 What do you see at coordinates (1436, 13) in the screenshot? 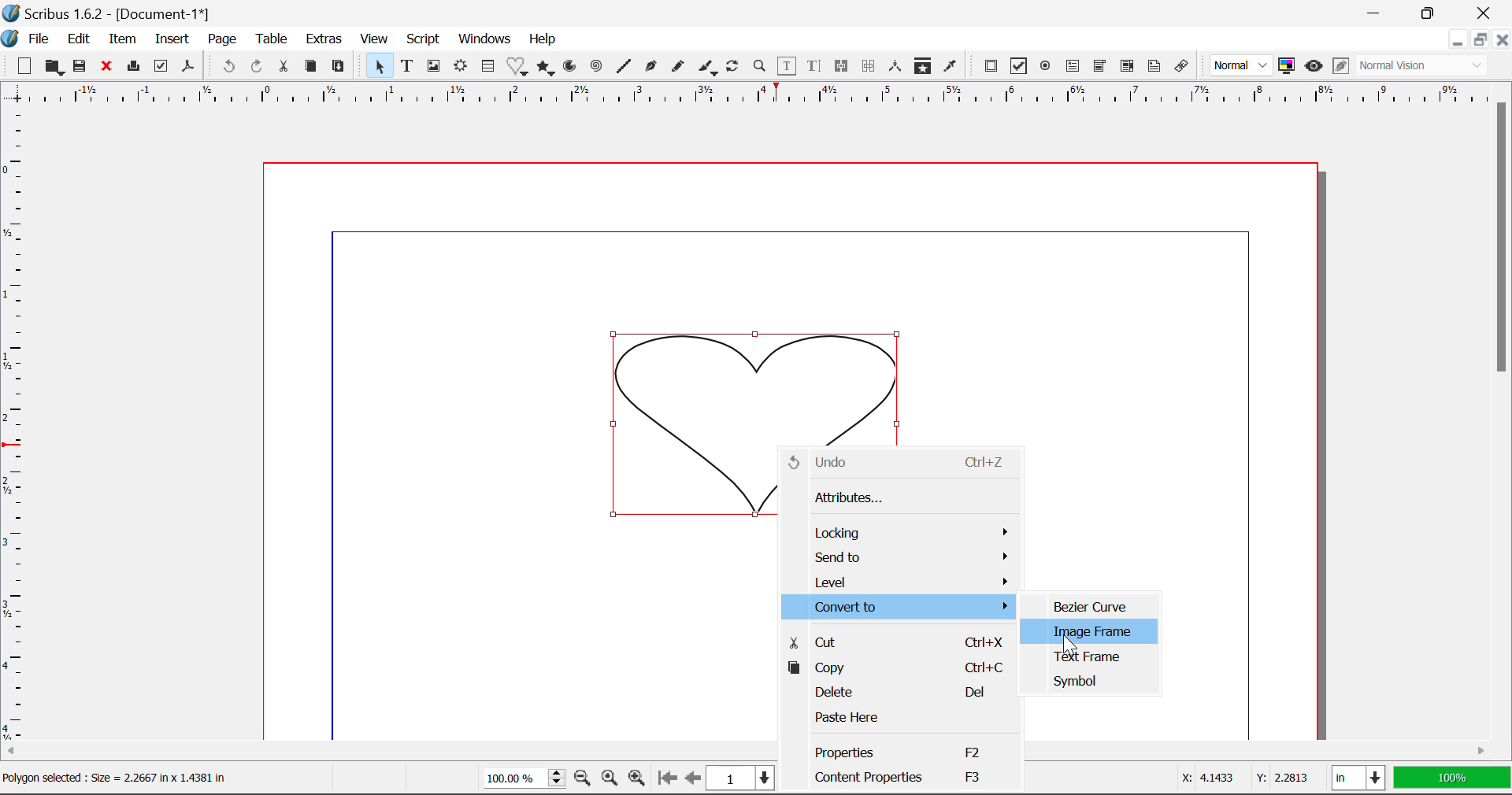
I see `Minimize` at bounding box center [1436, 13].